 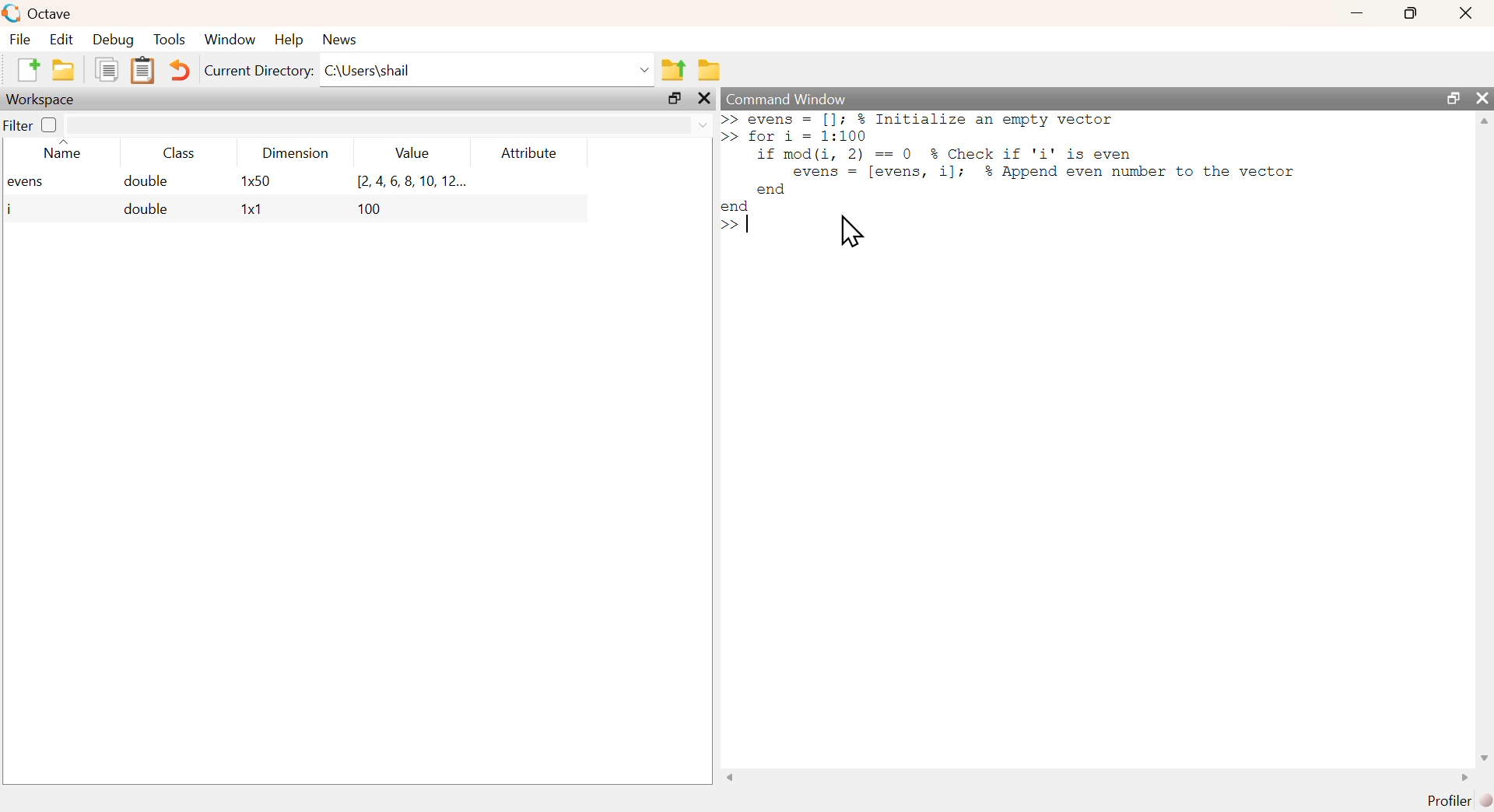 What do you see at coordinates (342, 38) in the screenshot?
I see `news` at bounding box center [342, 38].